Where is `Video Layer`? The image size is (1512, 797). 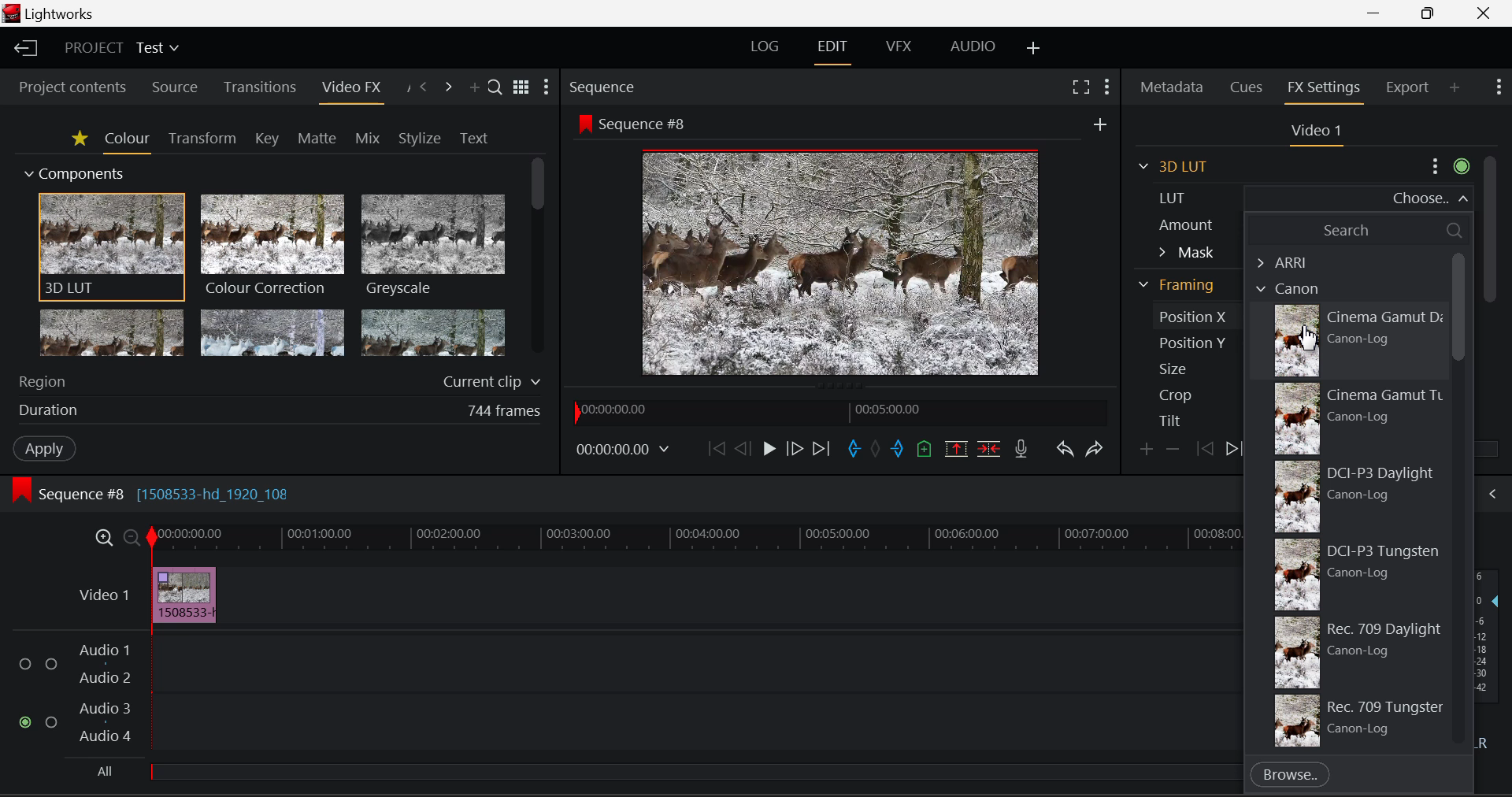
Video Layer is located at coordinates (103, 595).